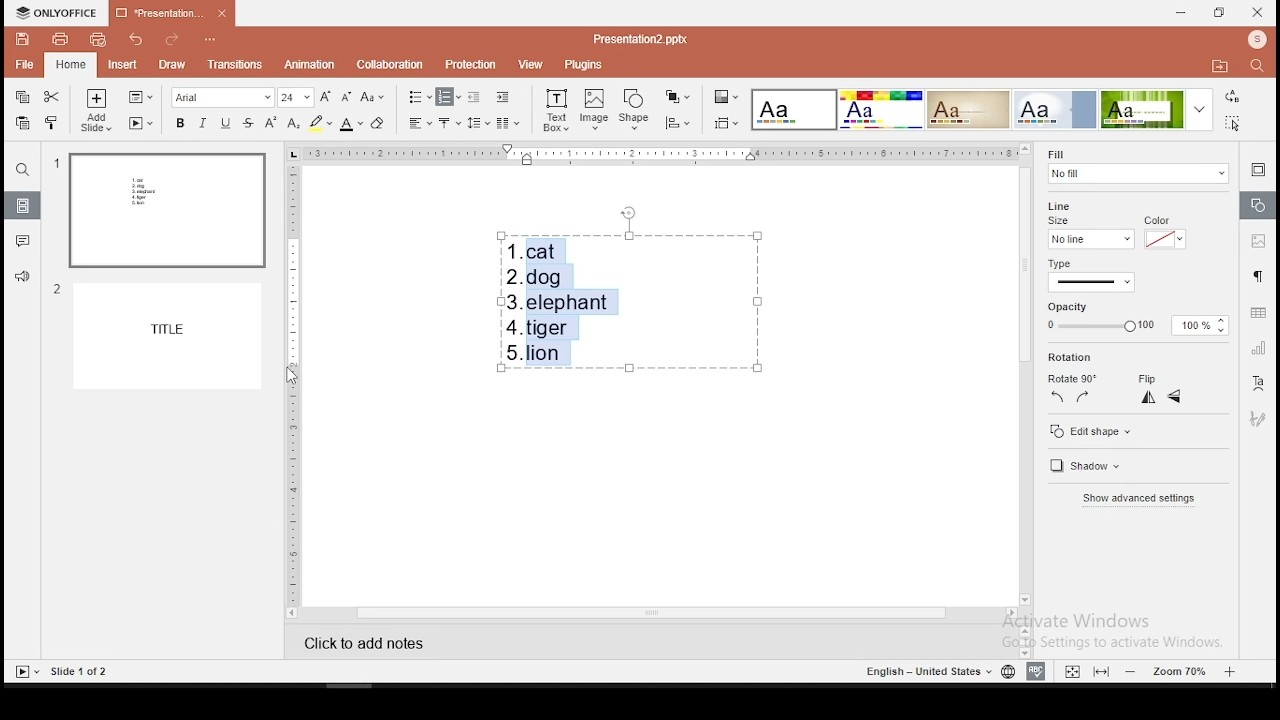 The width and height of the screenshot is (1280, 720). I want to click on type, so click(1120, 272).